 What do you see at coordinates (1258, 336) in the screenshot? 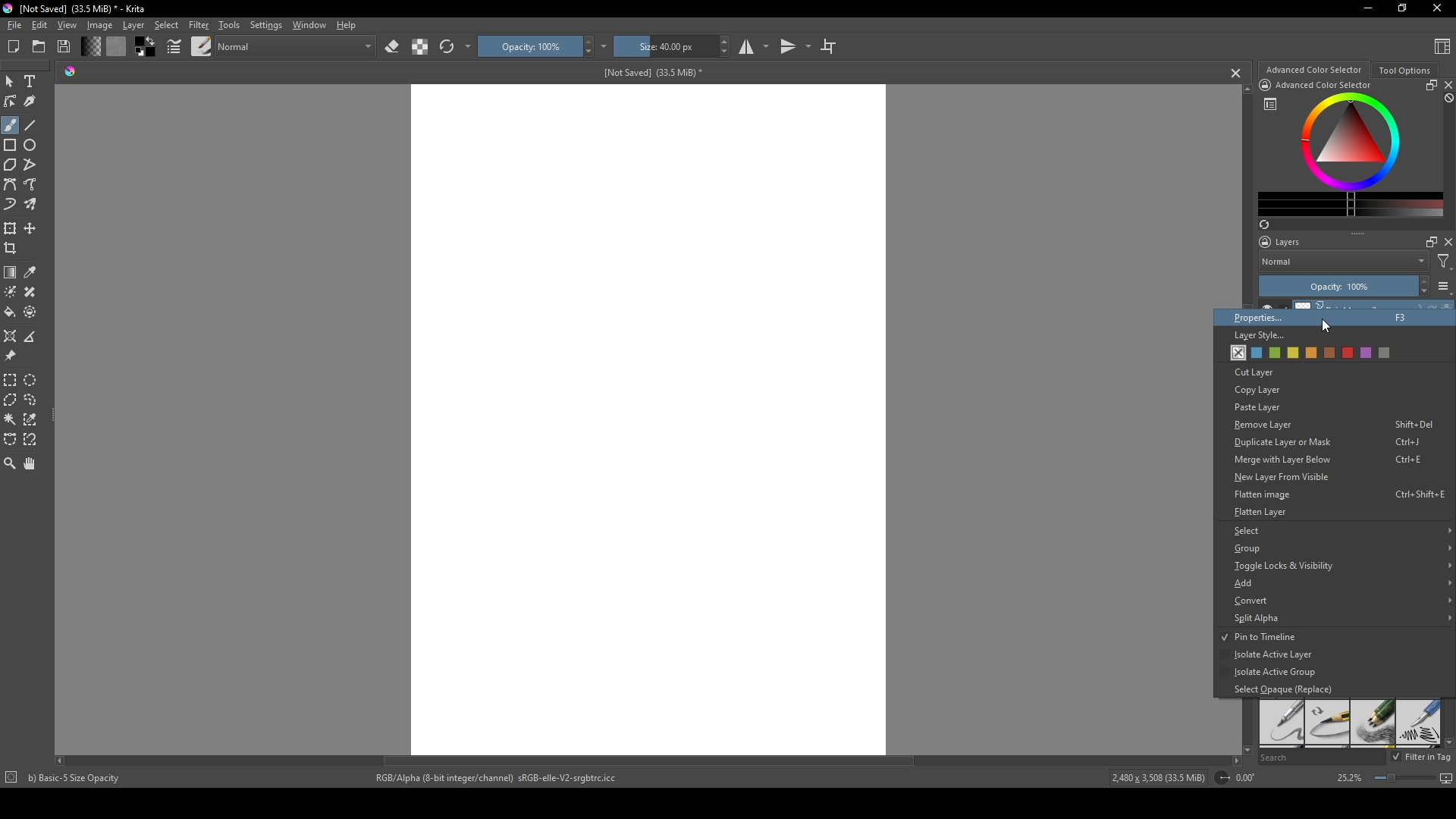
I see `Layer Style...` at bounding box center [1258, 336].